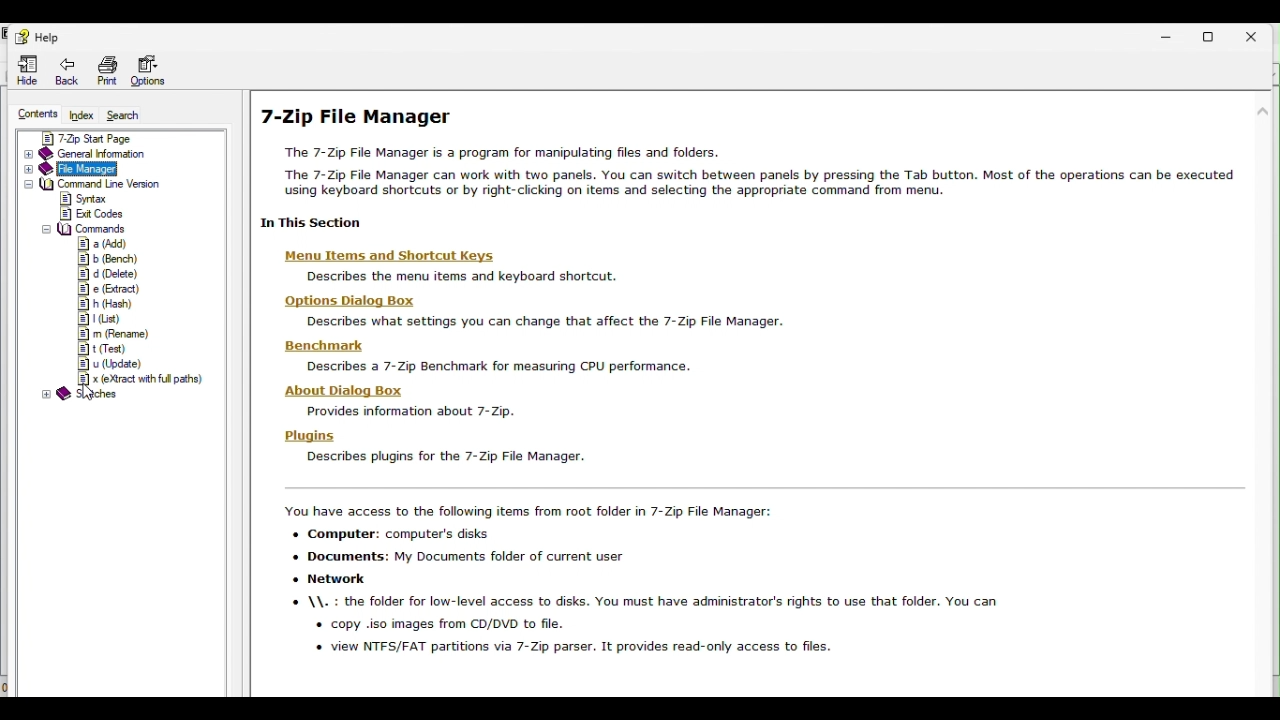 The height and width of the screenshot is (720, 1280). I want to click on expand, so click(25, 170).